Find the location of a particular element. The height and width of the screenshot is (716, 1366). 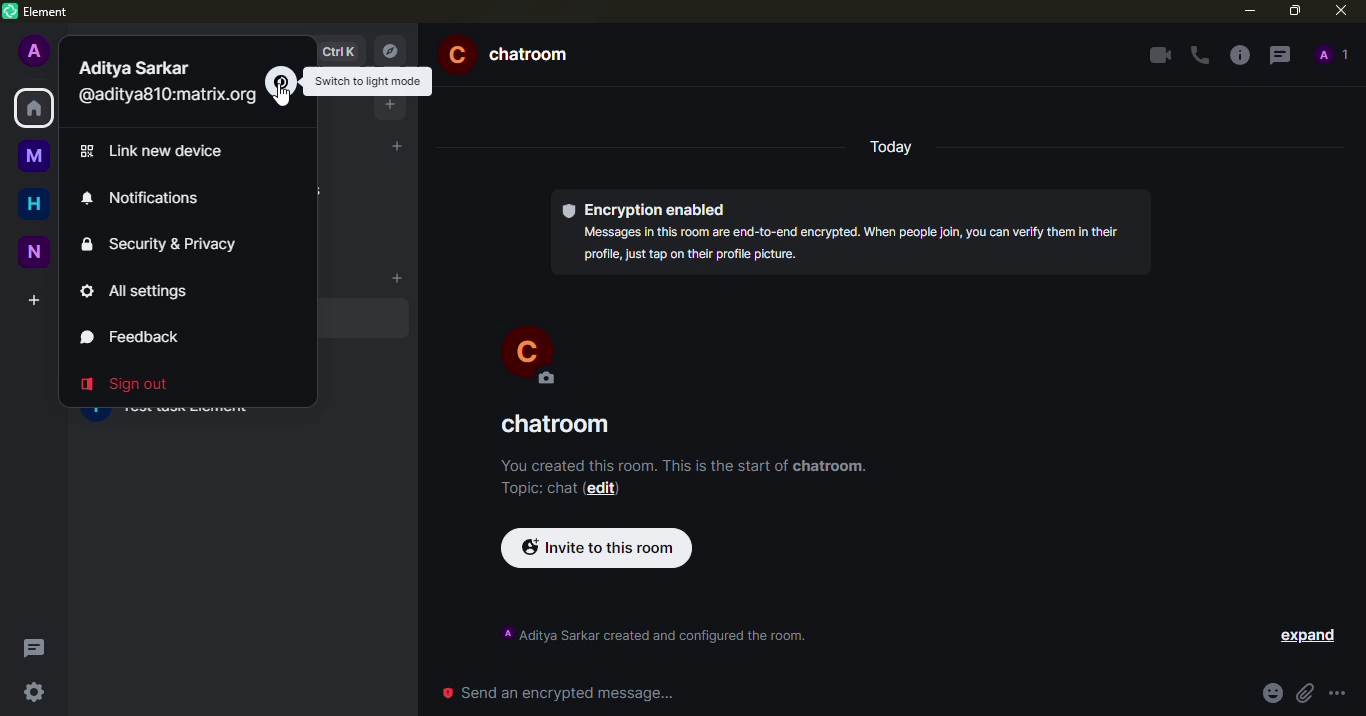

create space is located at coordinates (34, 299).